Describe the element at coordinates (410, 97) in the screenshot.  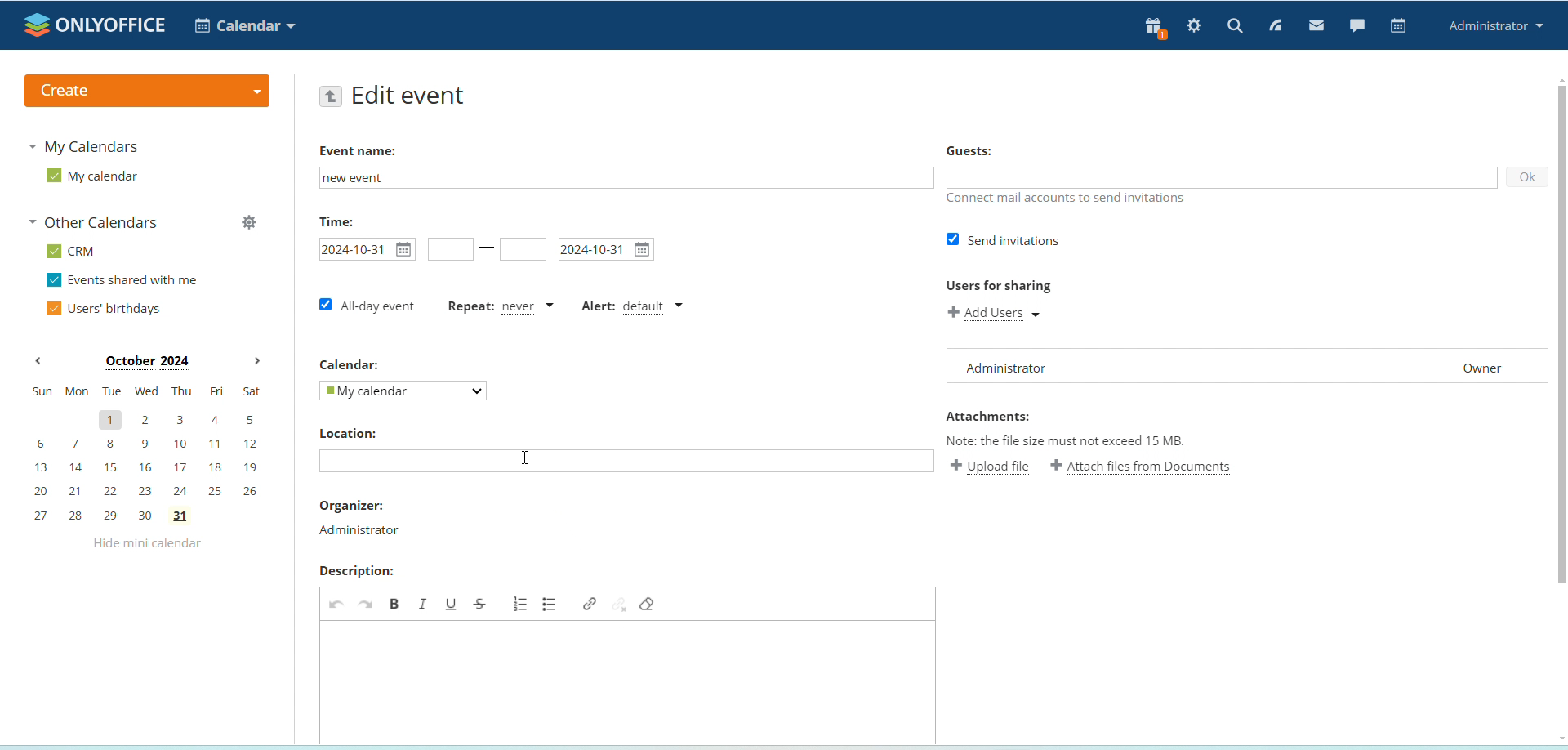
I see `edit event` at that location.